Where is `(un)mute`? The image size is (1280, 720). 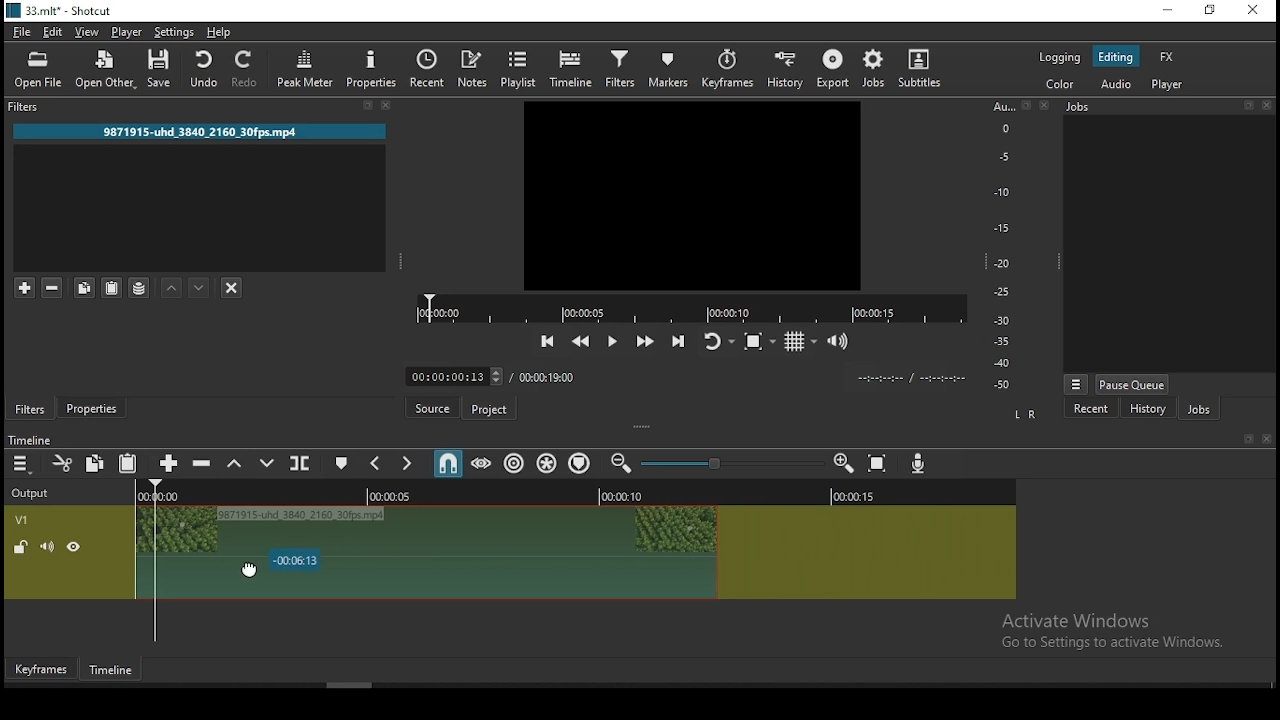
(un)mute is located at coordinates (47, 548).